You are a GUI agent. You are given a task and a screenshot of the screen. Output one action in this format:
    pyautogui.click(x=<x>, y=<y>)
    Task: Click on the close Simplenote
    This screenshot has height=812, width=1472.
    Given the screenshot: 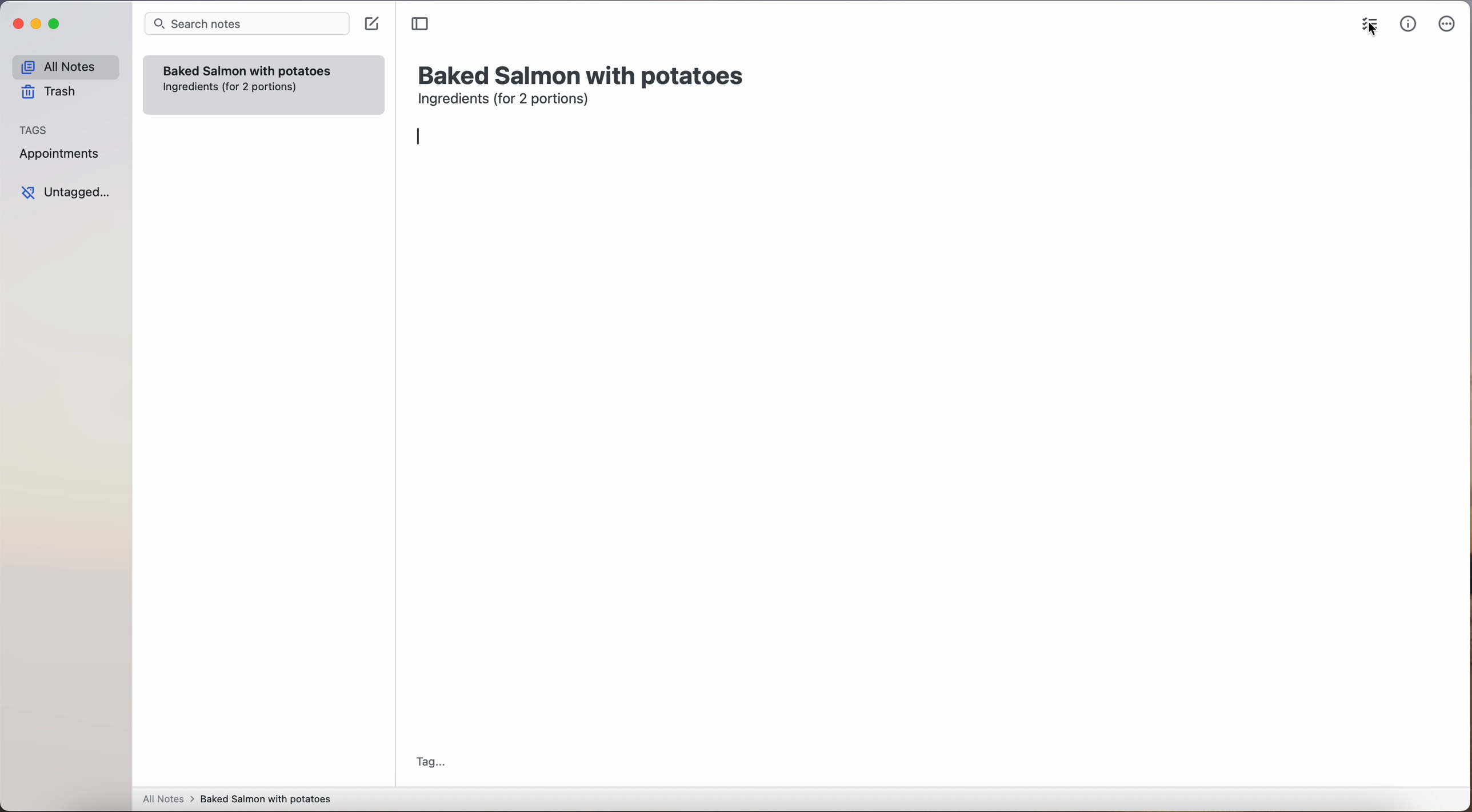 What is the action you would take?
    pyautogui.click(x=17, y=25)
    